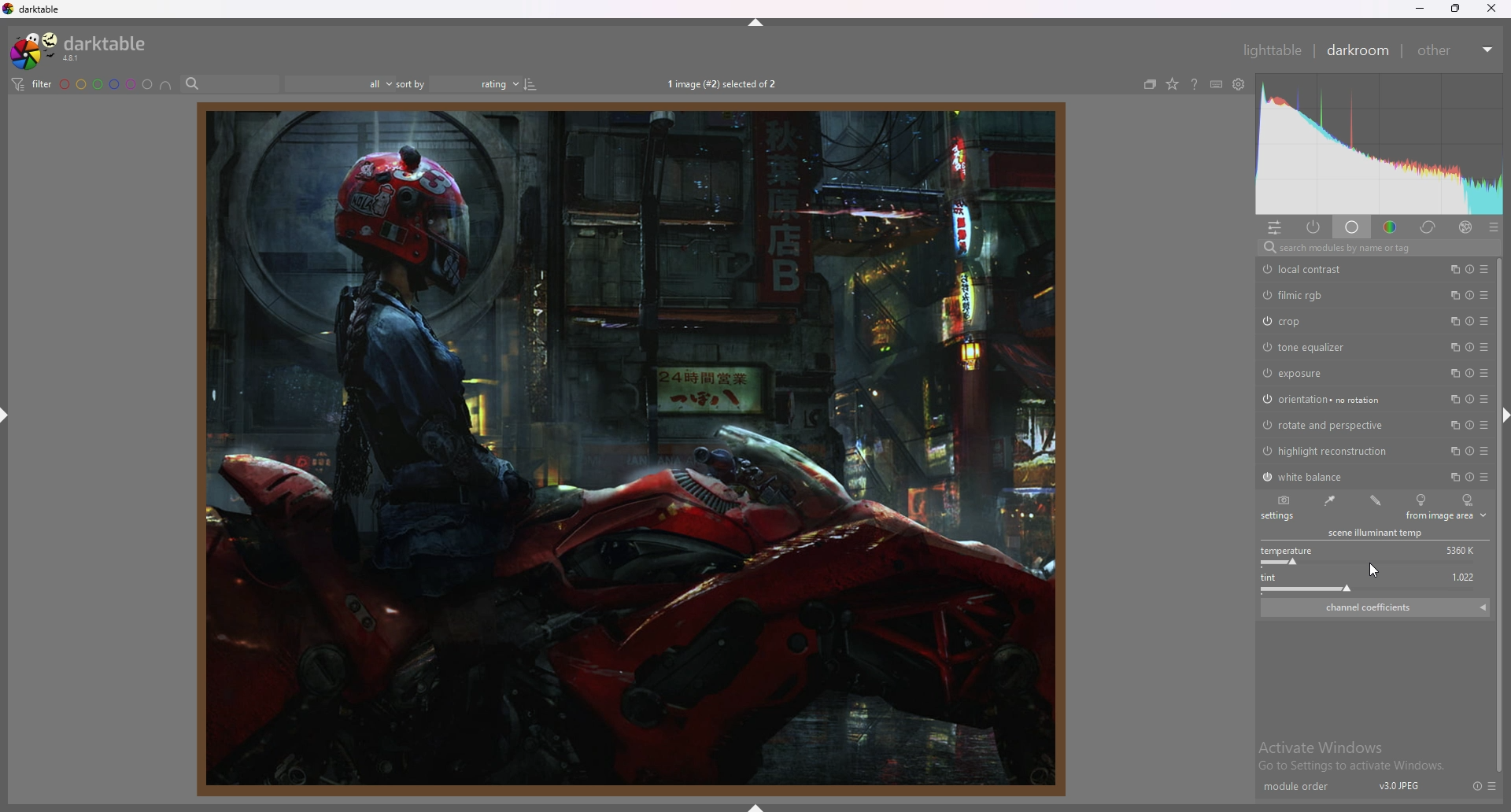 Image resolution: width=1511 pixels, height=812 pixels. What do you see at coordinates (1367, 563) in the screenshot?
I see `temperature slider` at bounding box center [1367, 563].